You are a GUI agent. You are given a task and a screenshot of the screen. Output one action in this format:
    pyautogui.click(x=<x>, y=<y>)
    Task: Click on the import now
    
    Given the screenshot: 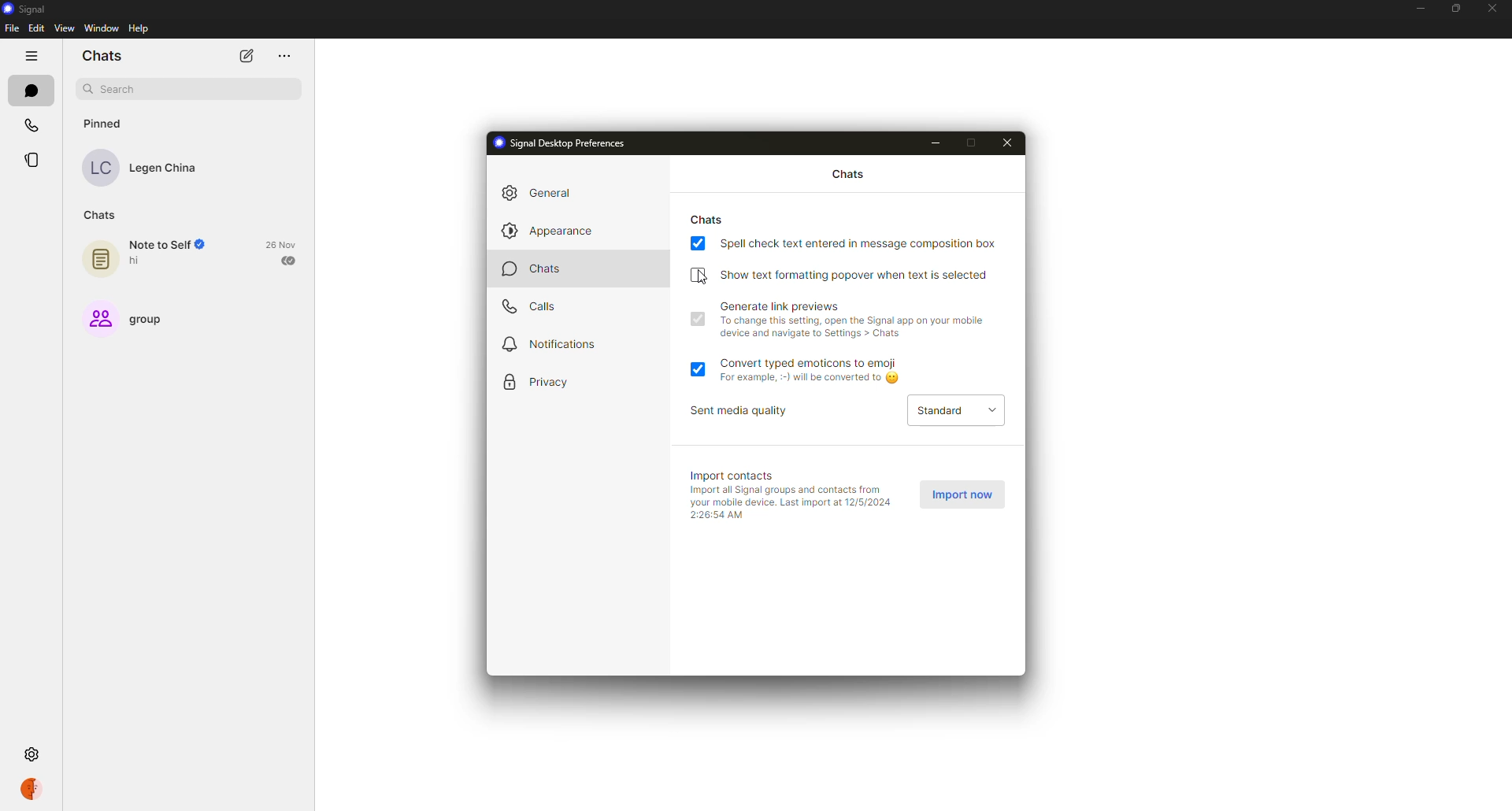 What is the action you would take?
    pyautogui.click(x=964, y=495)
    